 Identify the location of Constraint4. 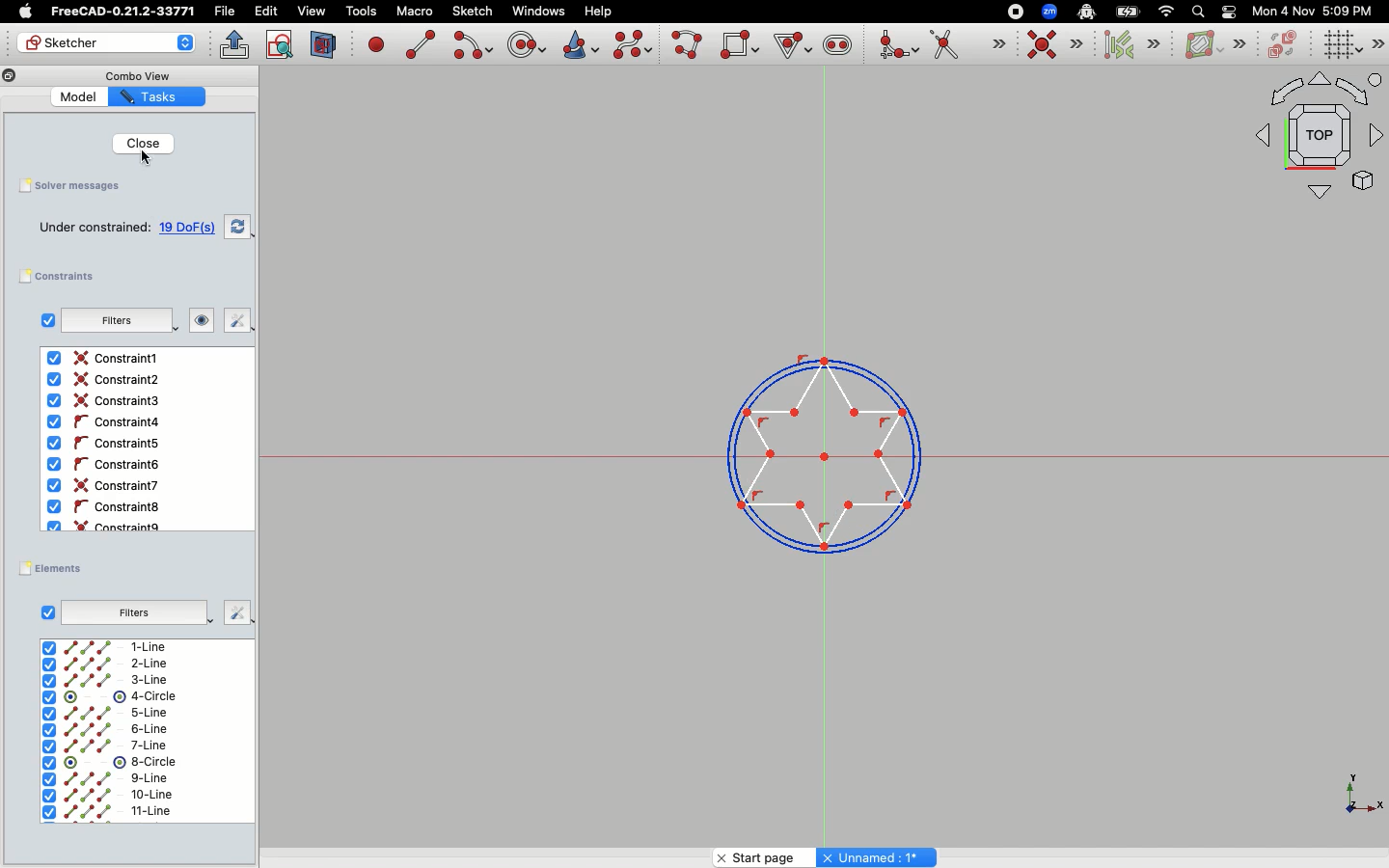
(101, 422).